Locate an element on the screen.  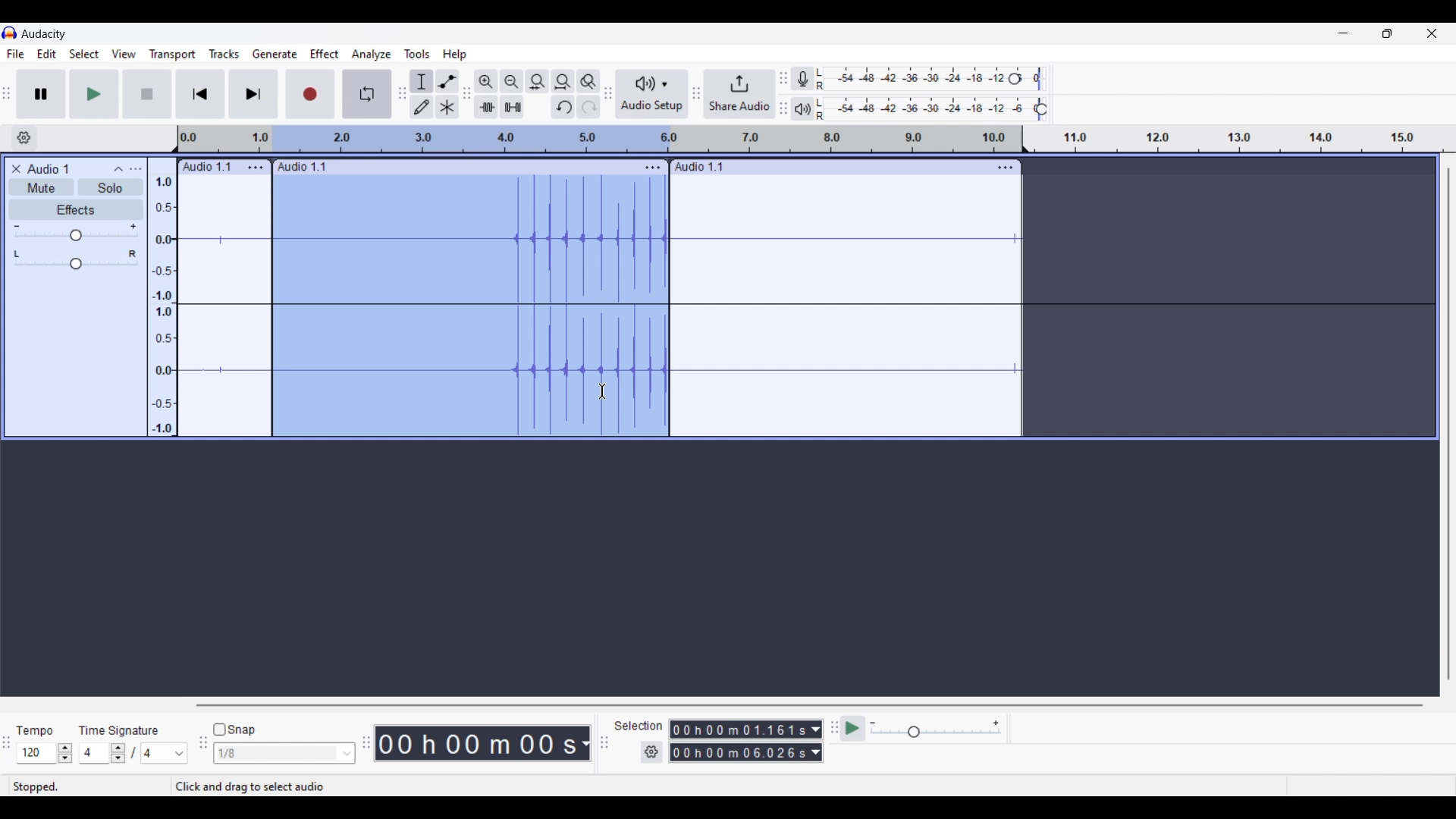
Zoom out is located at coordinates (511, 80).